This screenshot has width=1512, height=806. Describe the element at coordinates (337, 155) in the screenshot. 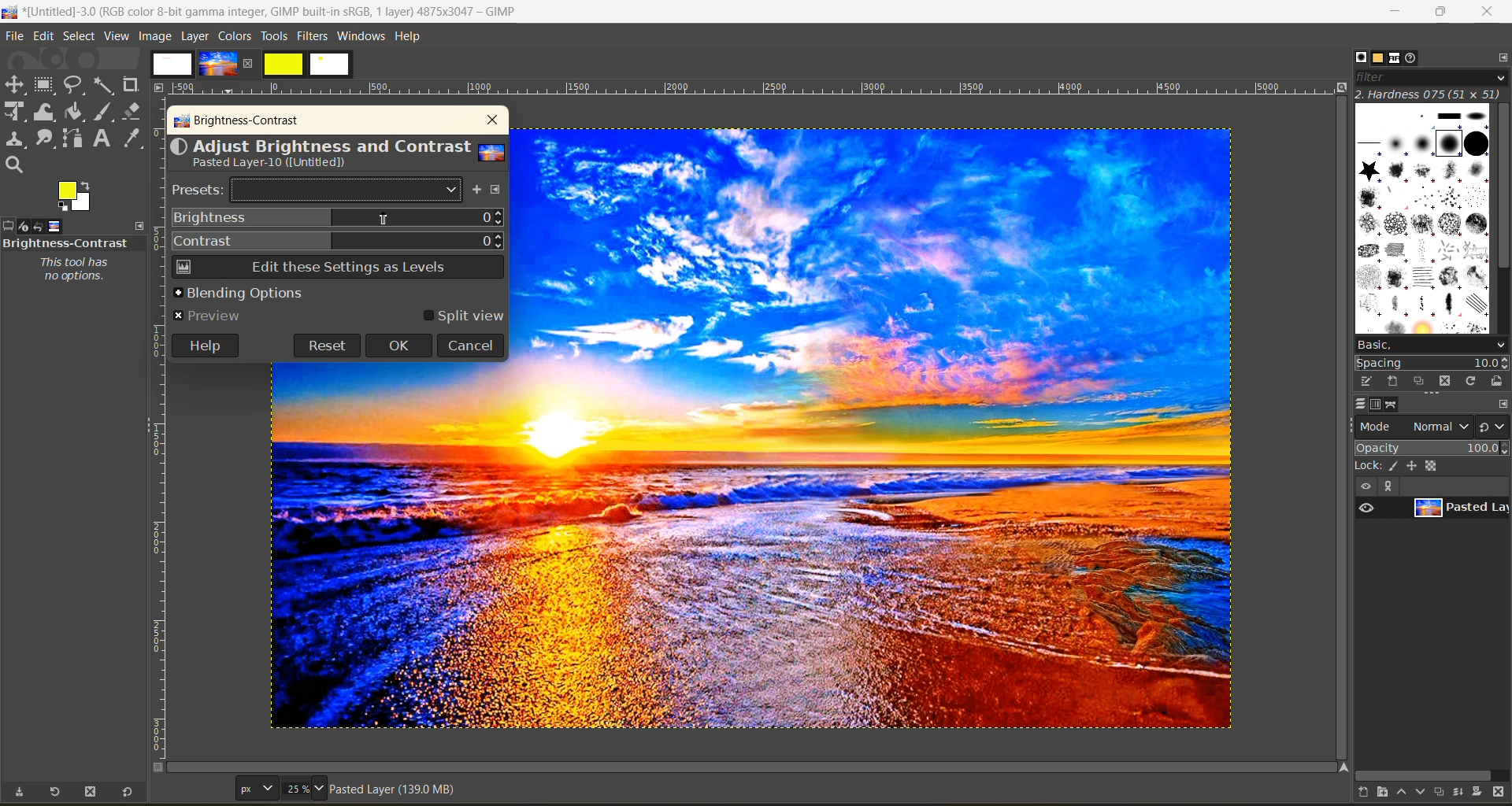

I see `adjust brightness and contrast` at that location.